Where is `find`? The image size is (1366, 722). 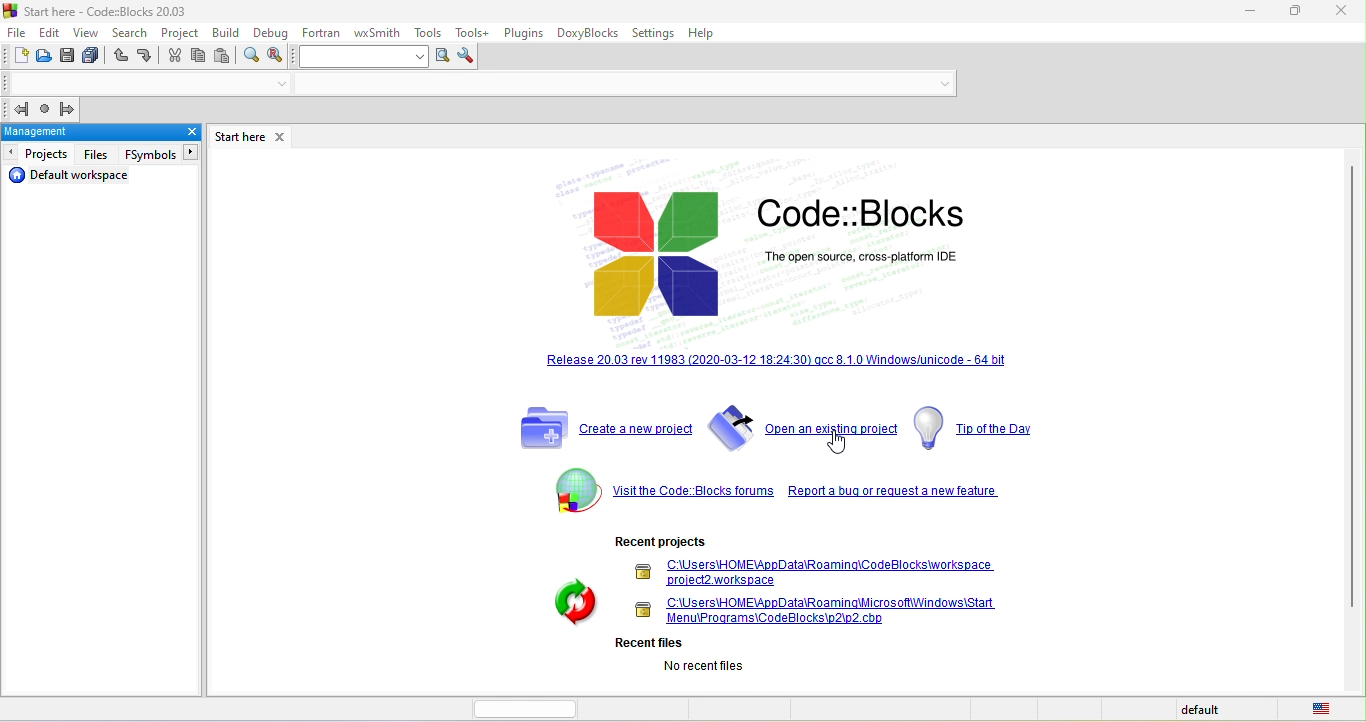 find is located at coordinates (249, 56).